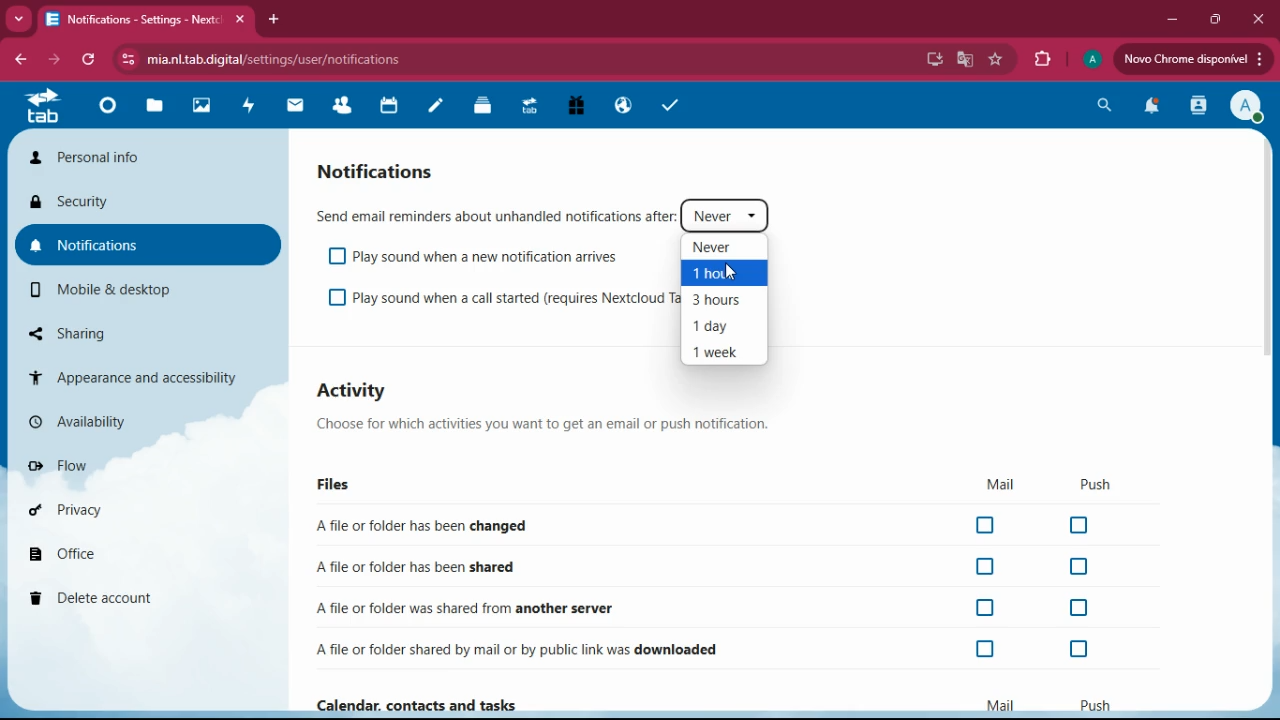 The height and width of the screenshot is (720, 1280). What do you see at coordinates (90, 60) in the screenshot?
I see `refresh` at bounding box center [90, 60].